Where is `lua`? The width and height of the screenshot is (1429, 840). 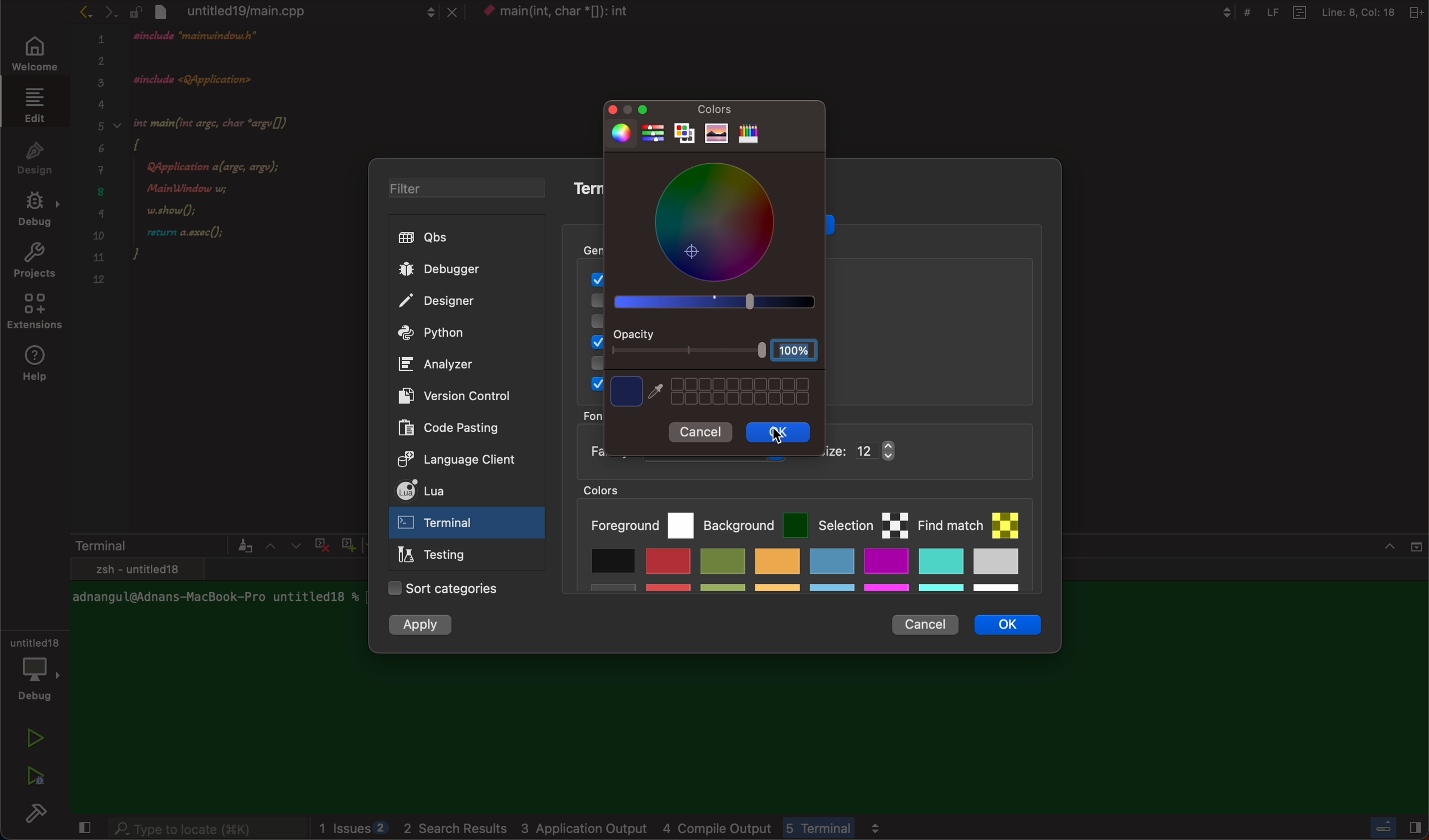 lua is located at coordinates (452, 493).